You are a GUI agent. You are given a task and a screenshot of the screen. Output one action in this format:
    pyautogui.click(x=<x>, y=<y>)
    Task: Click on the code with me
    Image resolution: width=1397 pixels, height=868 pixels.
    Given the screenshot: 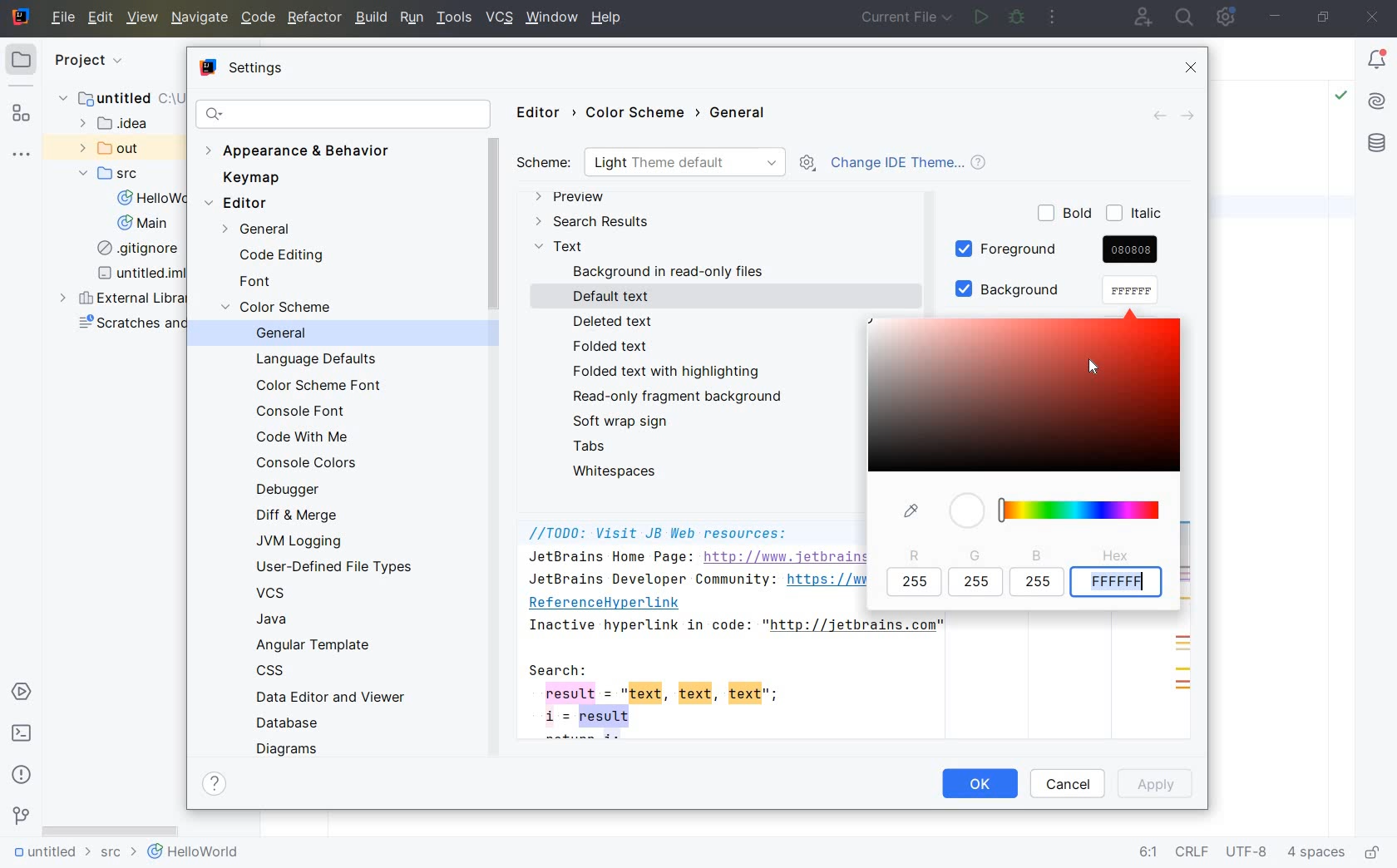 What is the action you would take?
    pyautogui.click(x=1141, y=17)
    